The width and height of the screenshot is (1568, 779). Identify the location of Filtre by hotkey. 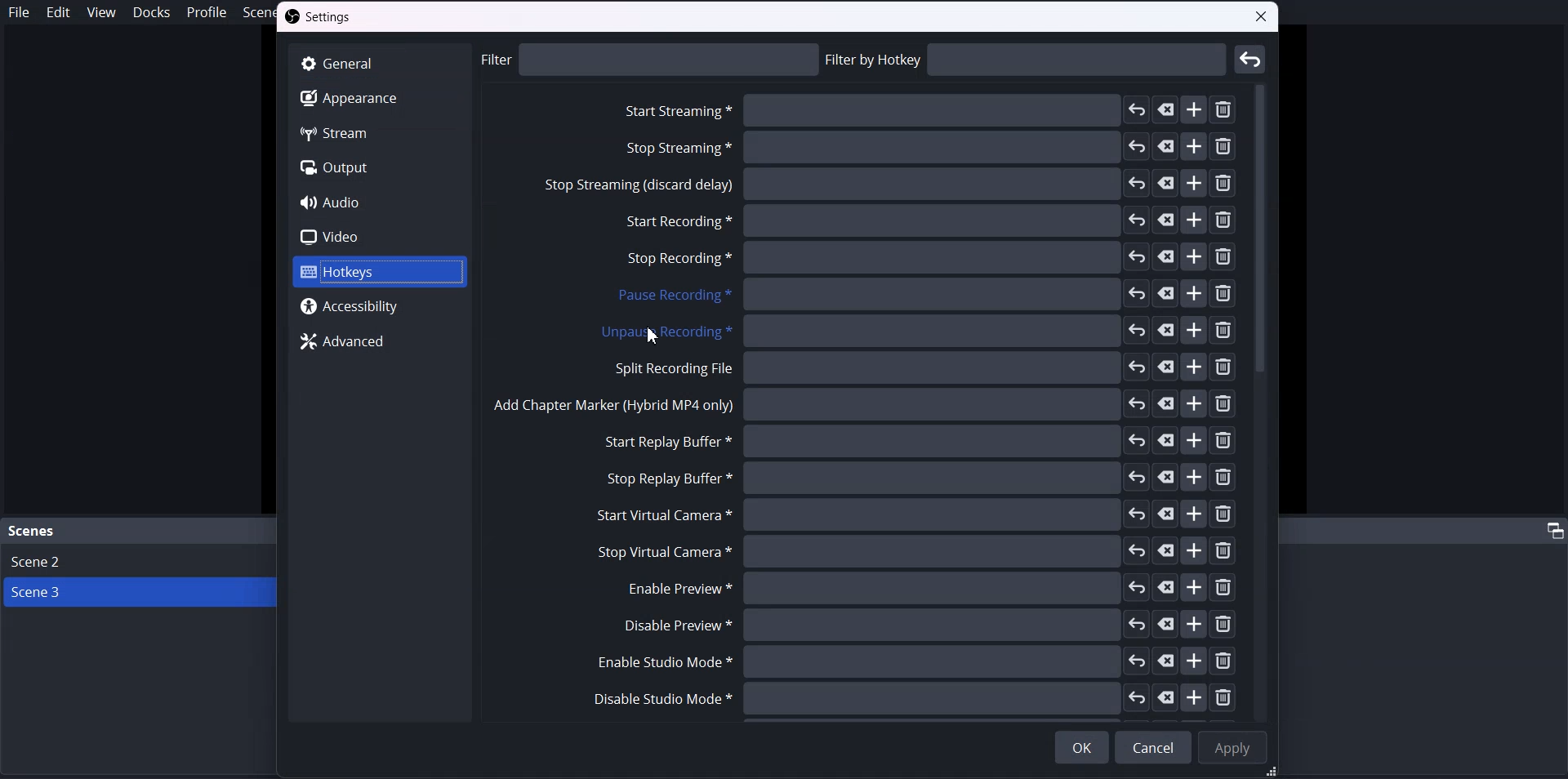
(1027, 60).